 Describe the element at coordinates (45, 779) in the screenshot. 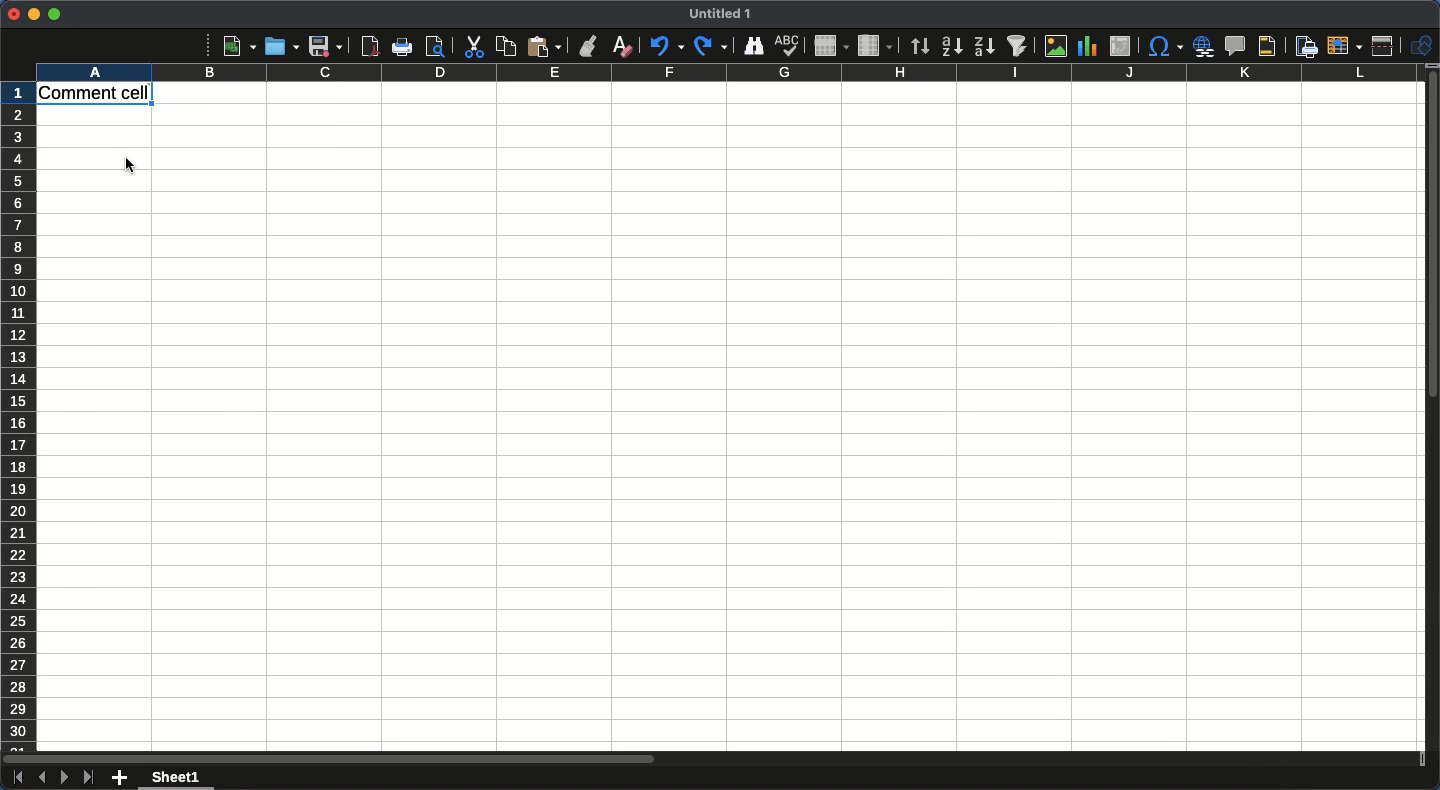

I see `Previous sheet` at that location.